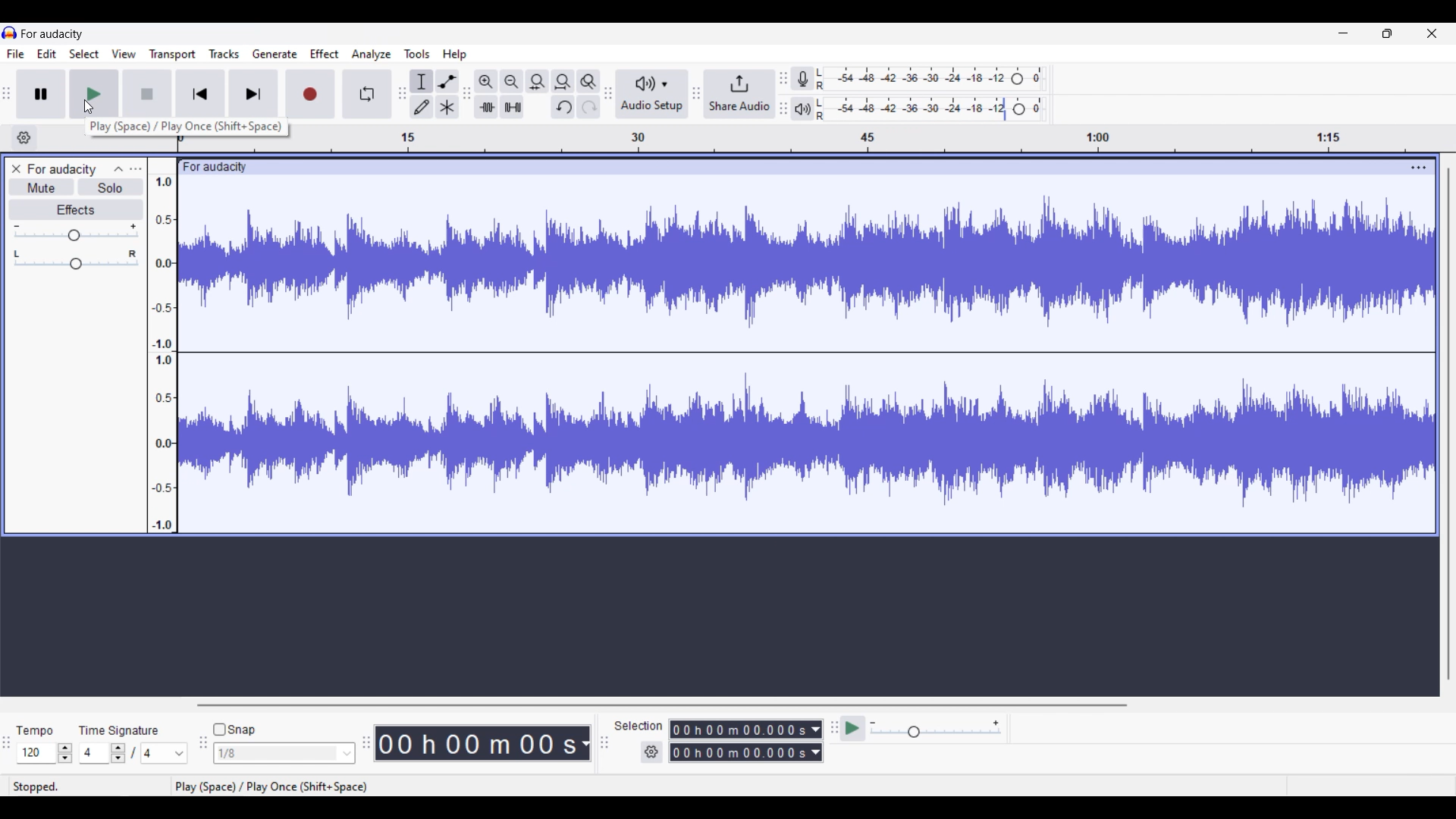 This screenshot has height=819, width=1456. Describe the element at coordinates (651, 752) in the screenshot. I see `Selection settings` at that location.